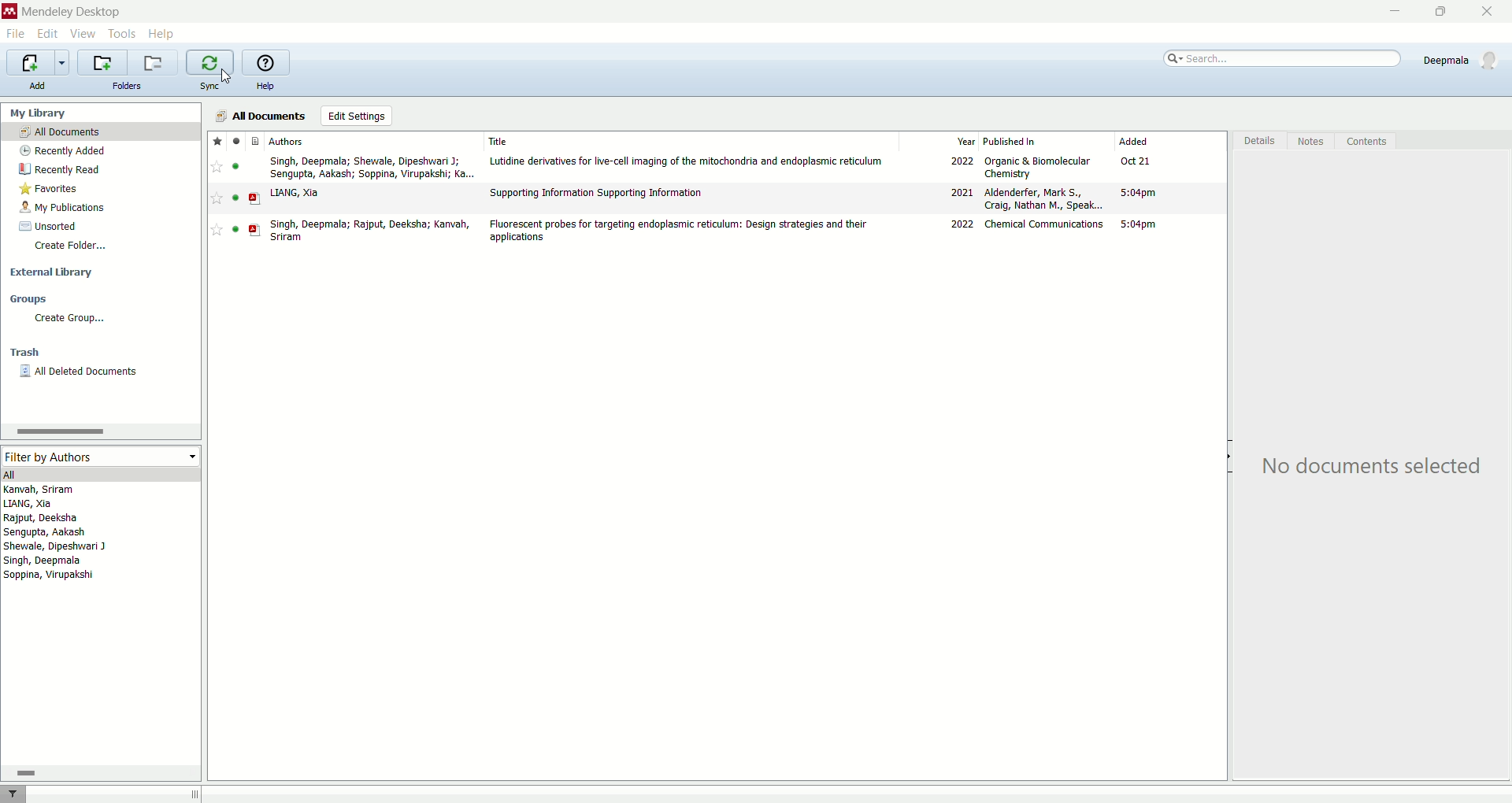 This screenshot has width=1512, height=803. What do you see at coordinates (50, 575) in the screenshot?
I see `Soppina, Virupakshi` at bounding box center [50, 575].